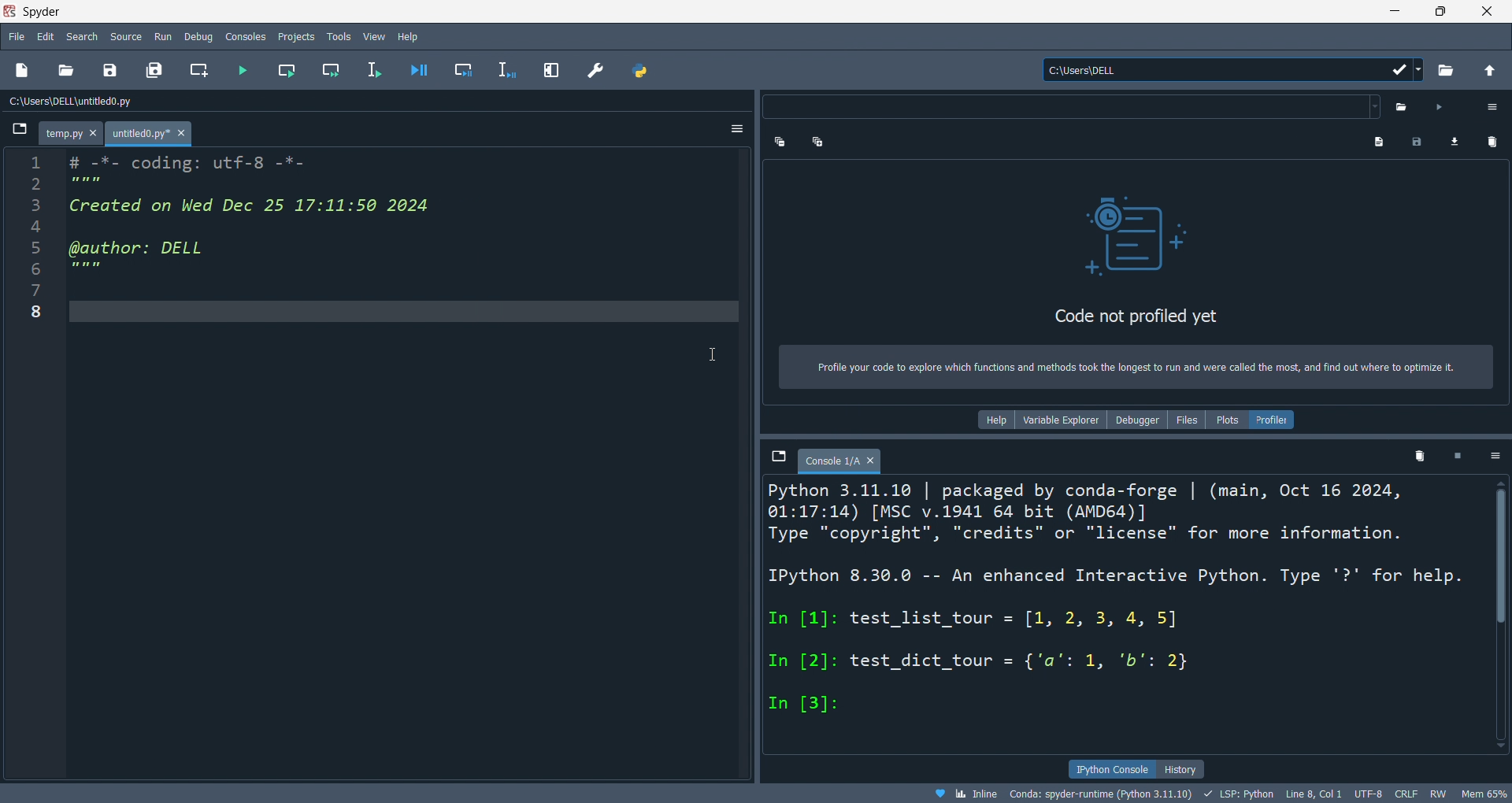 This screenshot has width=1512, height=803. What do you see at coordinates (778, 457) in the screenshot?
I see `browse tabs` at bounding box center [778, 457].